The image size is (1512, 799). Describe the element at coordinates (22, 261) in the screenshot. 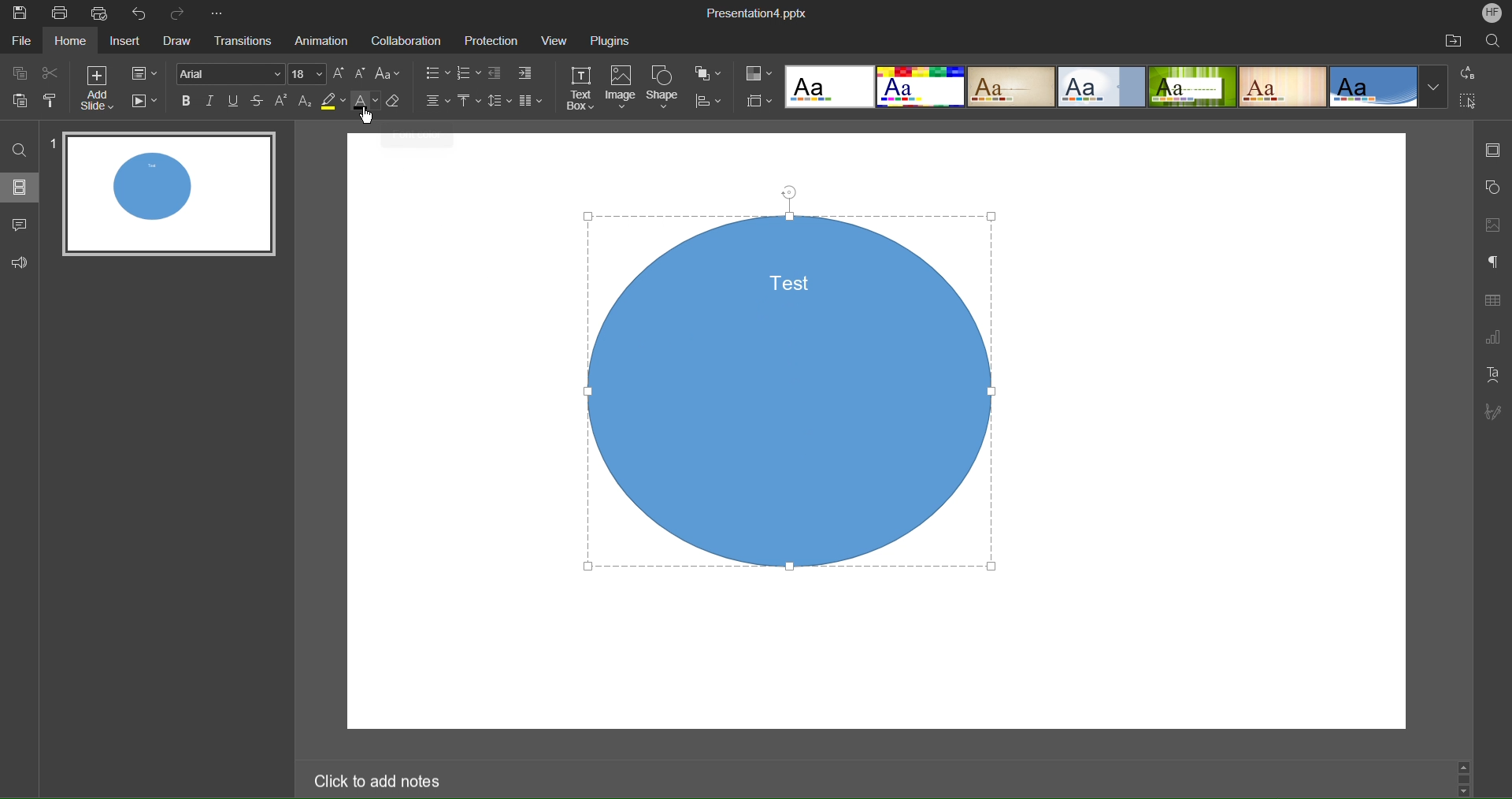

I see `Feedback and Support` at that location.